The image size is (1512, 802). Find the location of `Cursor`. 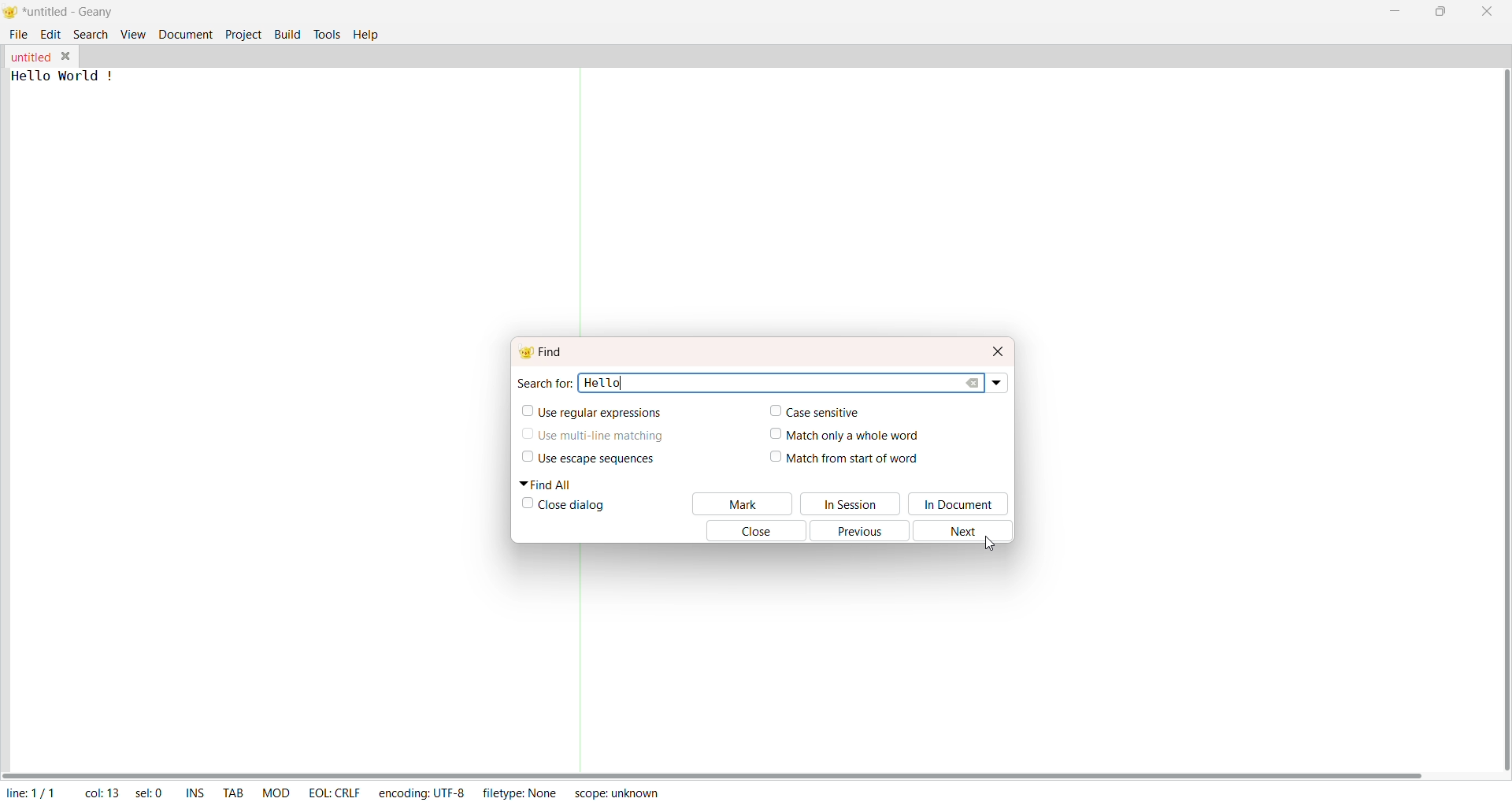

Cursor is located at coordinates (989, 545).